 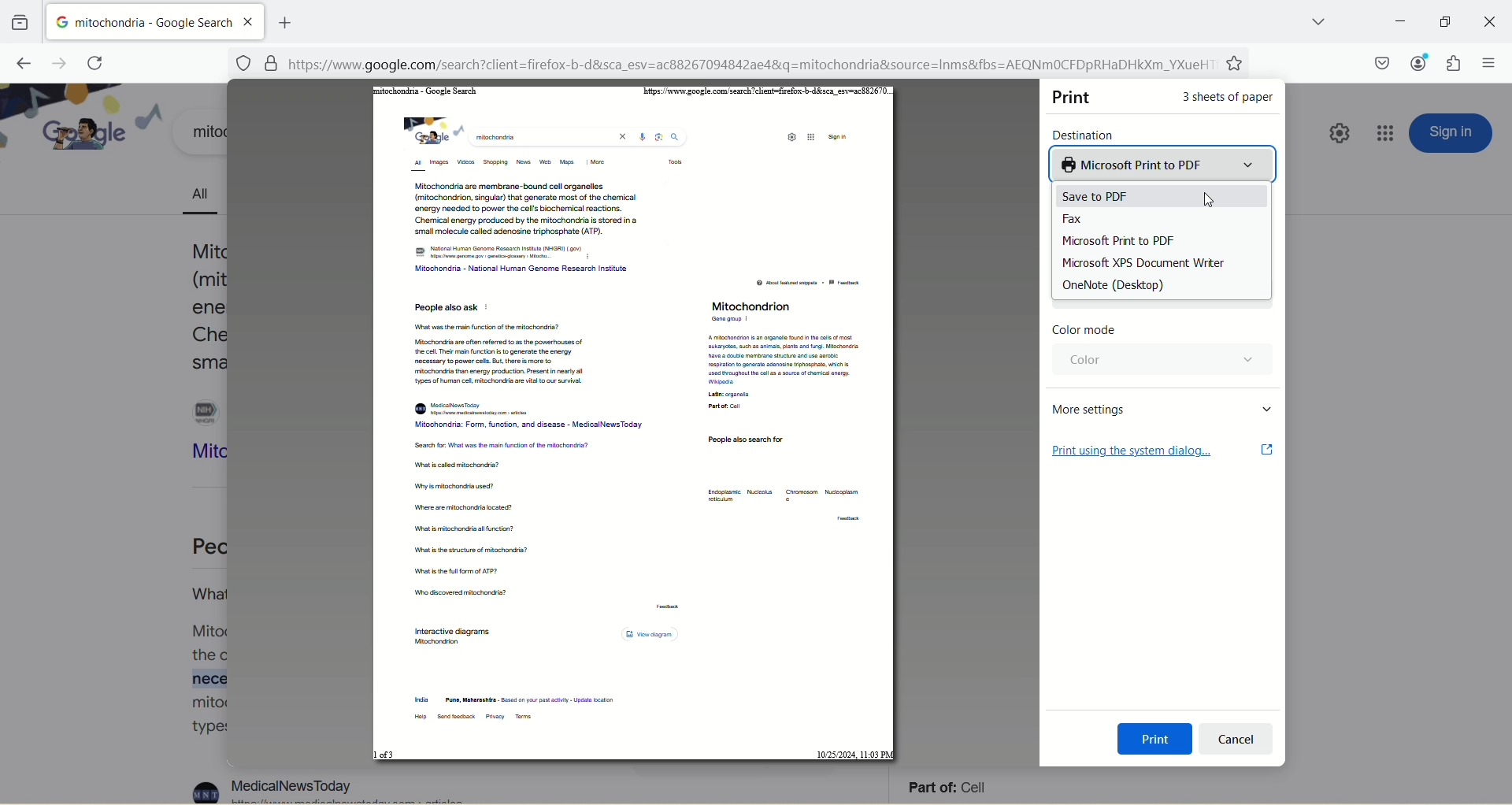 What do you see at coordinates (1155, 739) in the screenshot?
I see `print` at bounding box center [1155, 739].